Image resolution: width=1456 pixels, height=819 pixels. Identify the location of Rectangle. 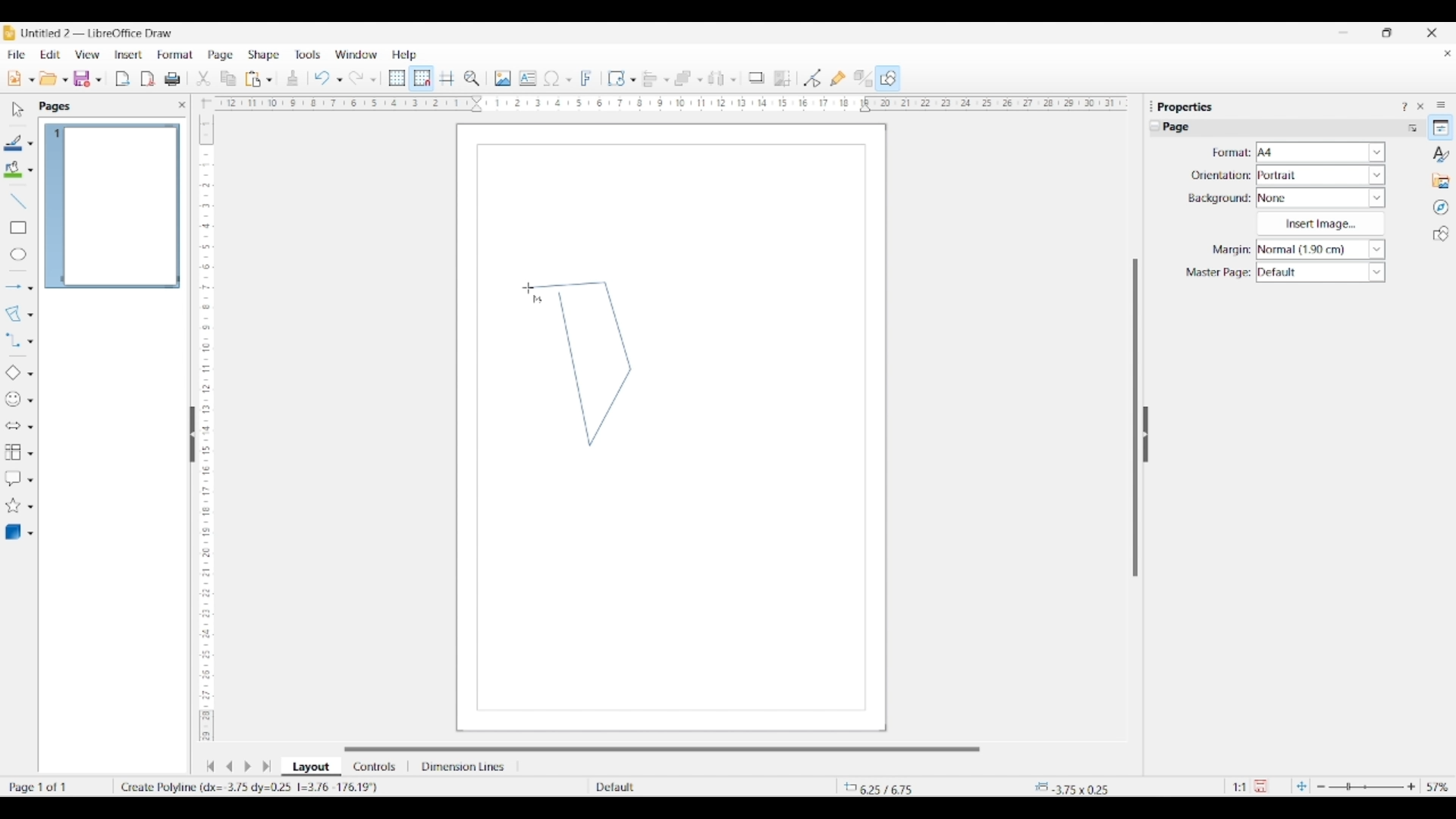
(18, 227).